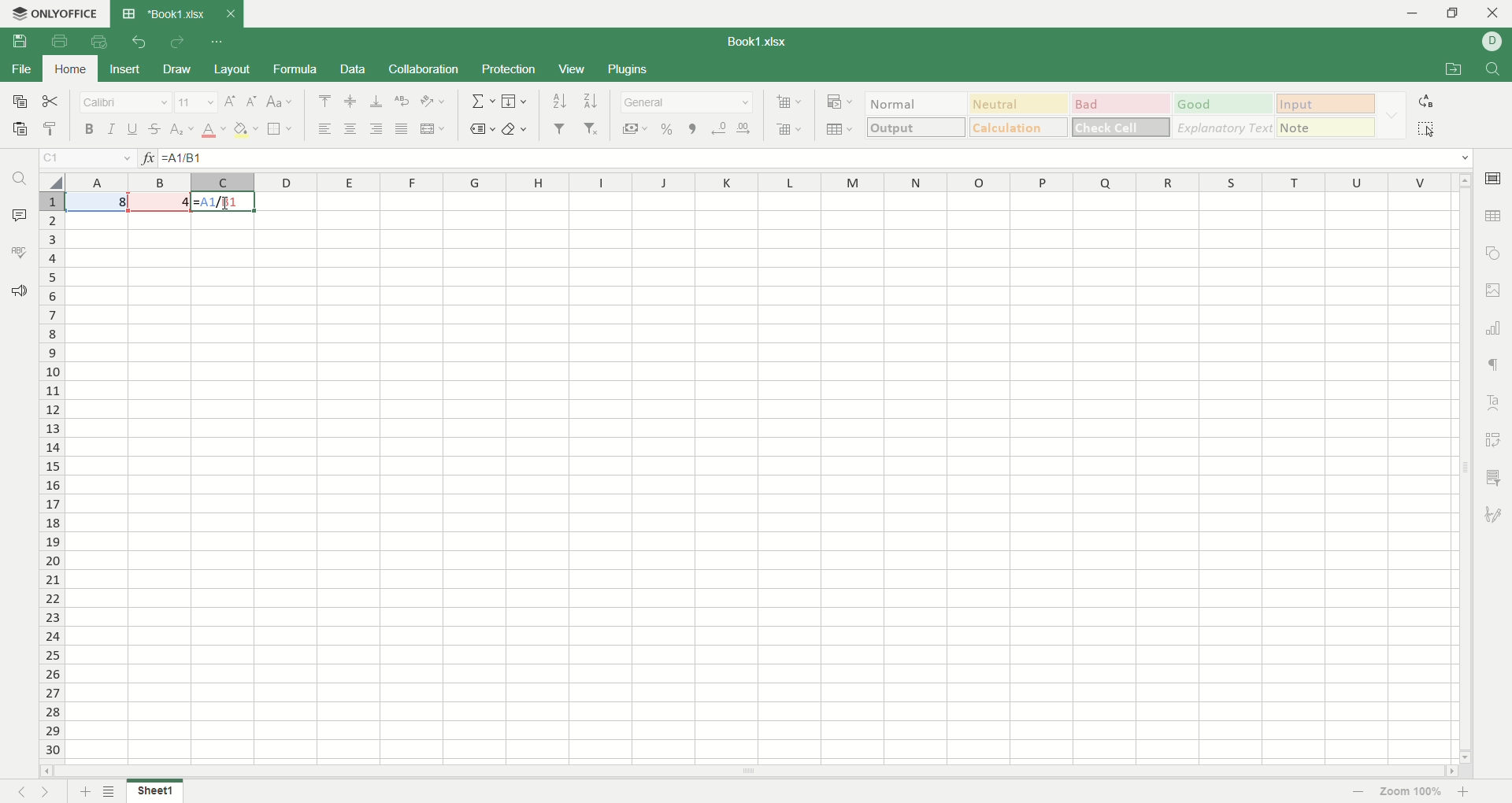 This screenshot has width=1512, height=803. I want to click on wrap text, so click(403, 98).